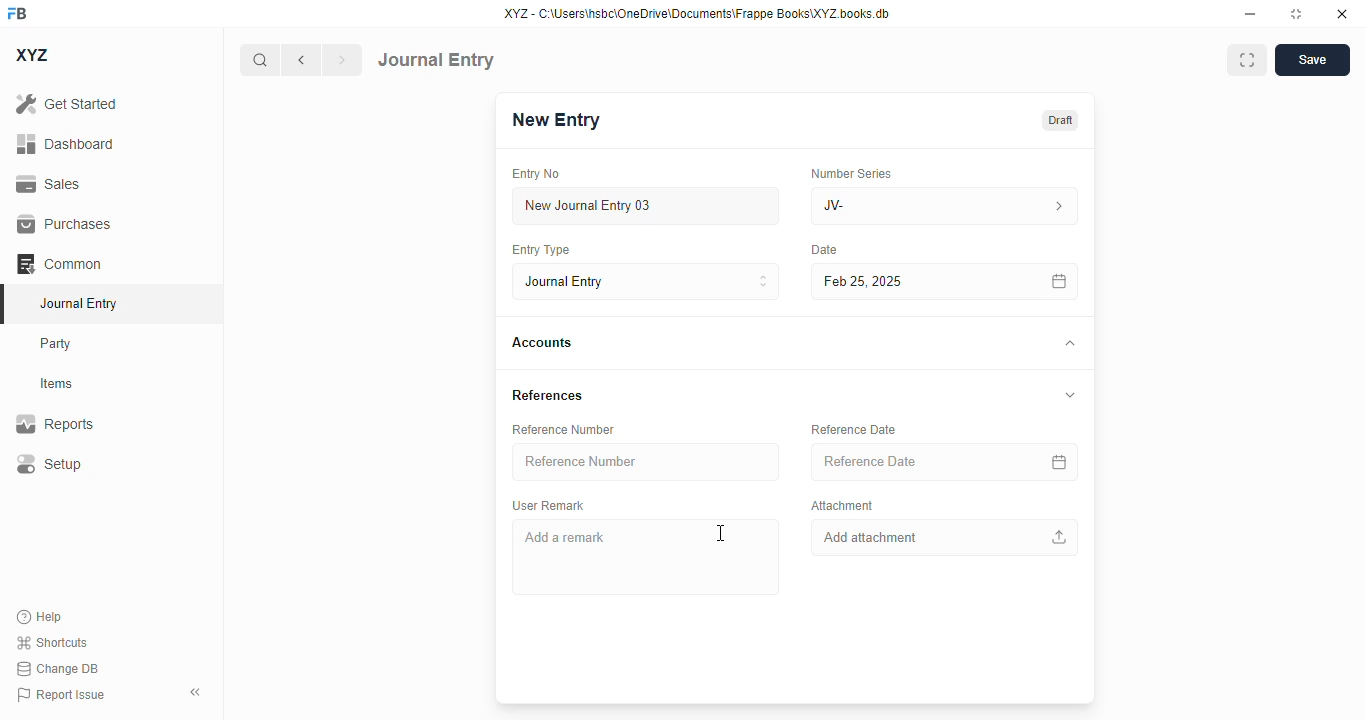 This screenshot has height=720, width=1366. I want to click on toggle maximize, so click(1295, 14).